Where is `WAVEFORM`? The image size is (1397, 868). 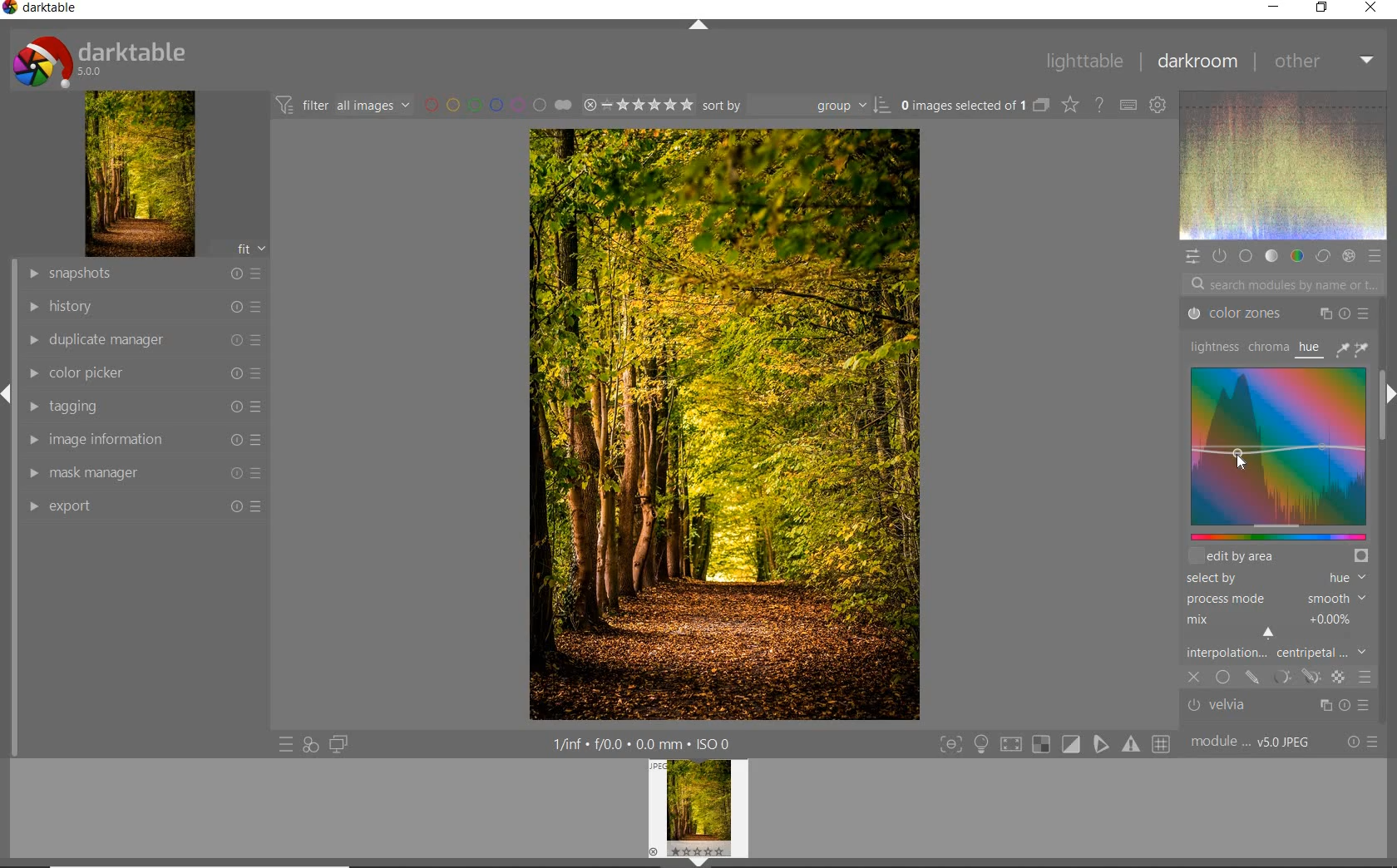
WAVEFORM is located at coordinates (1284, 165).